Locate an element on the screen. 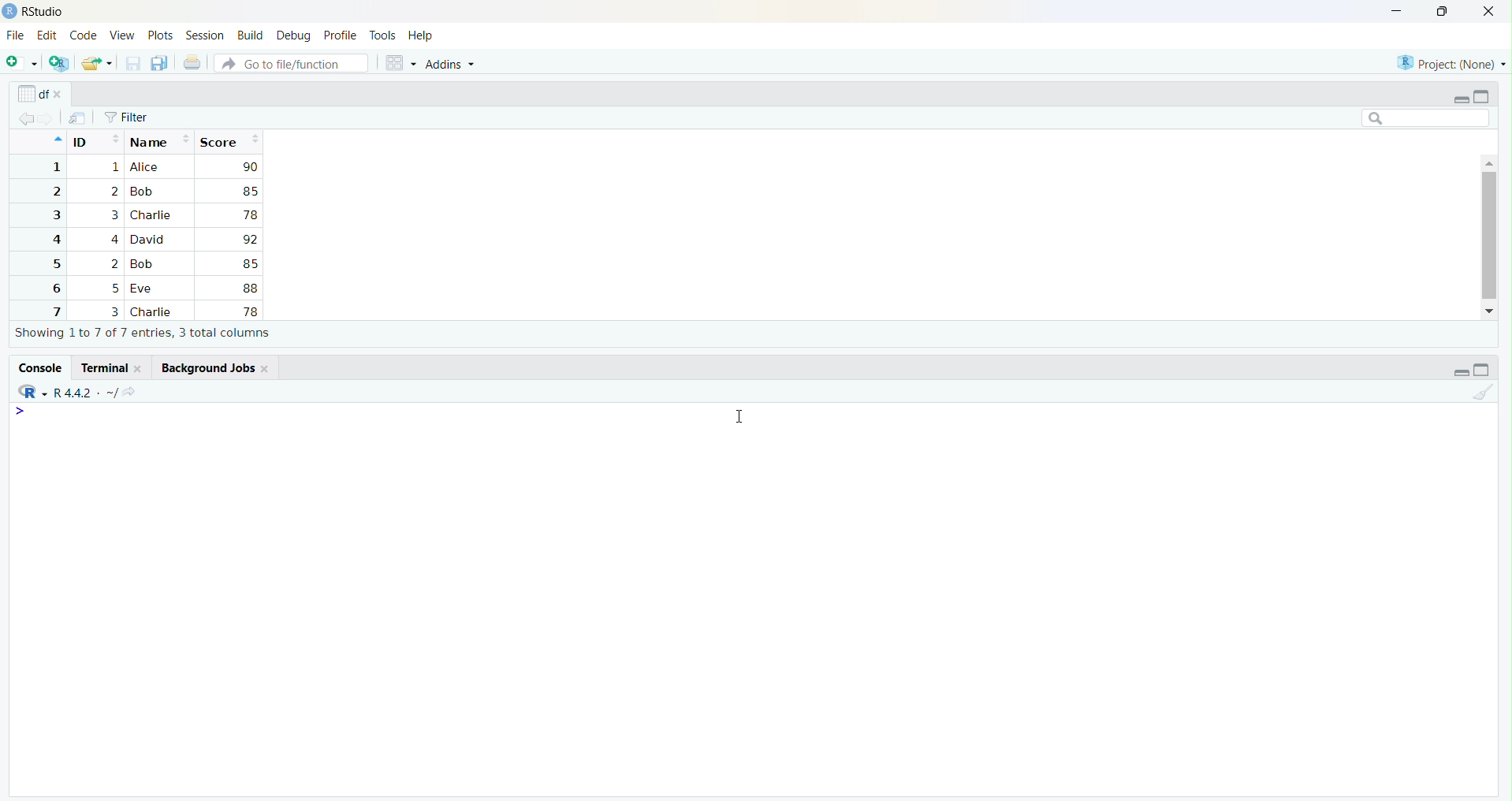 This screenshot has width=1512, height=801. Project (None) is located at coordinates (1448, 64).